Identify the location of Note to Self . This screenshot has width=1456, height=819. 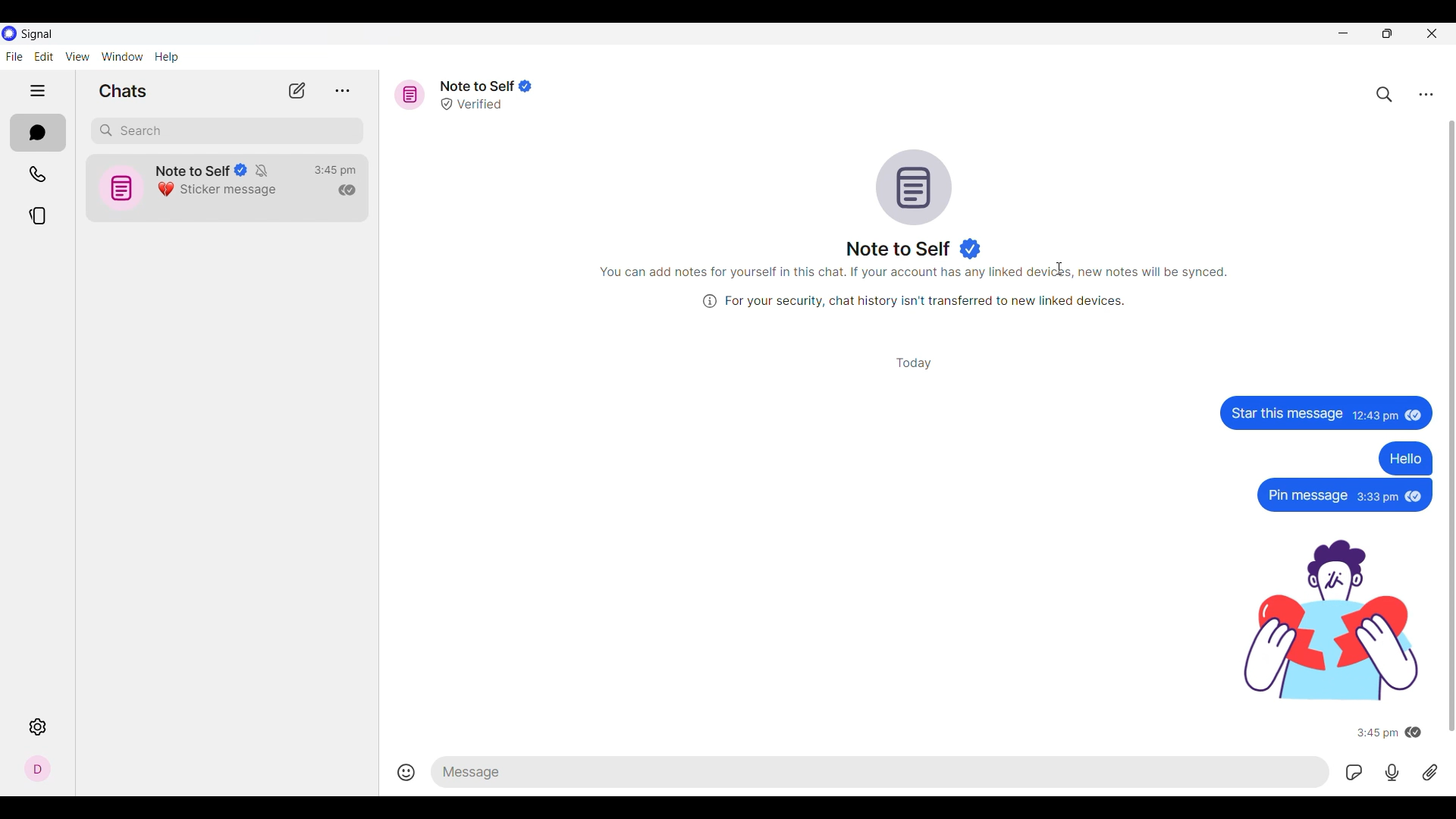
(199, 169).